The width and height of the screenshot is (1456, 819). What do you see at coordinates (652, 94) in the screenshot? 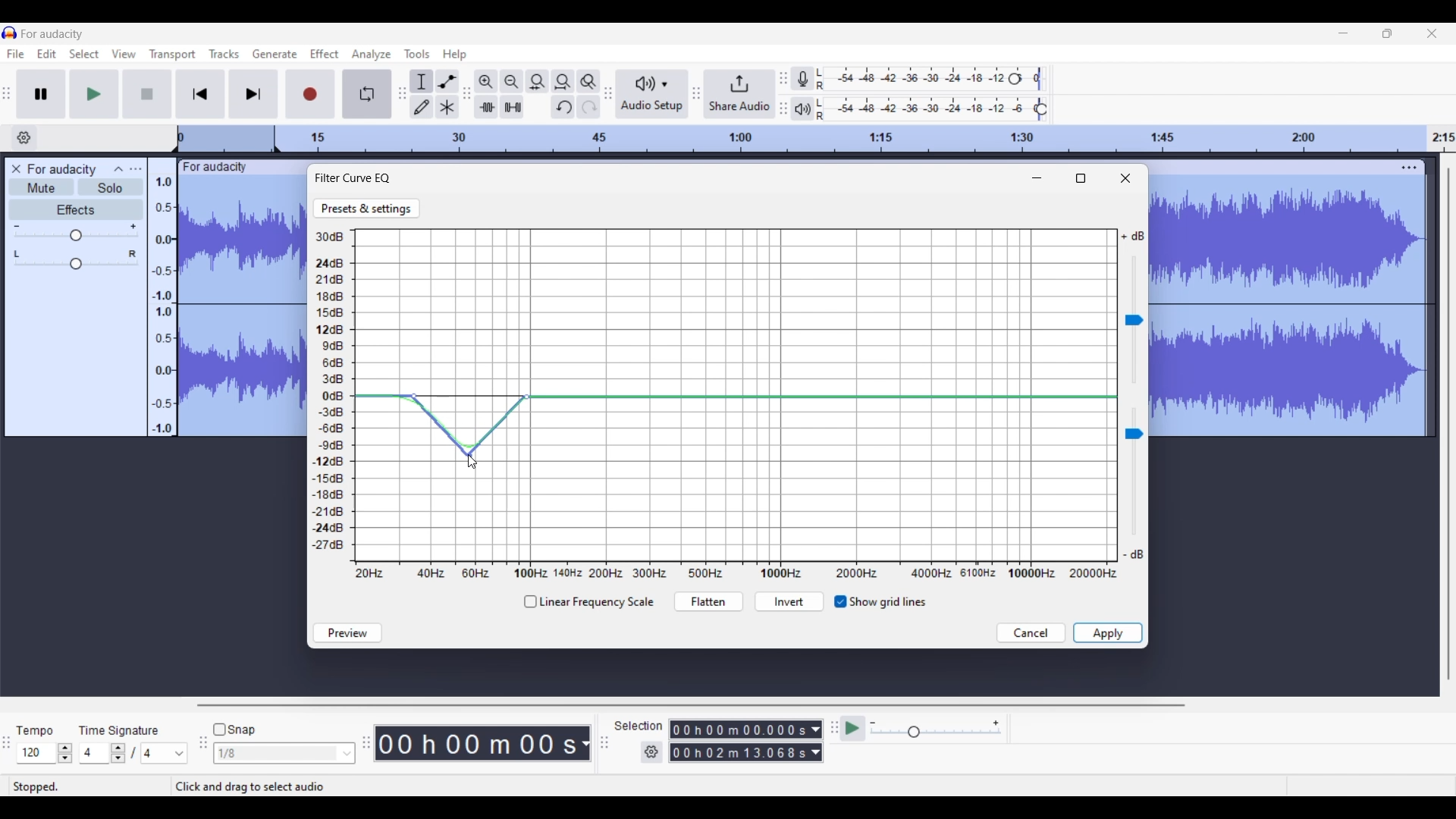
I see `Audio setup` at bounding box center [652, 94].